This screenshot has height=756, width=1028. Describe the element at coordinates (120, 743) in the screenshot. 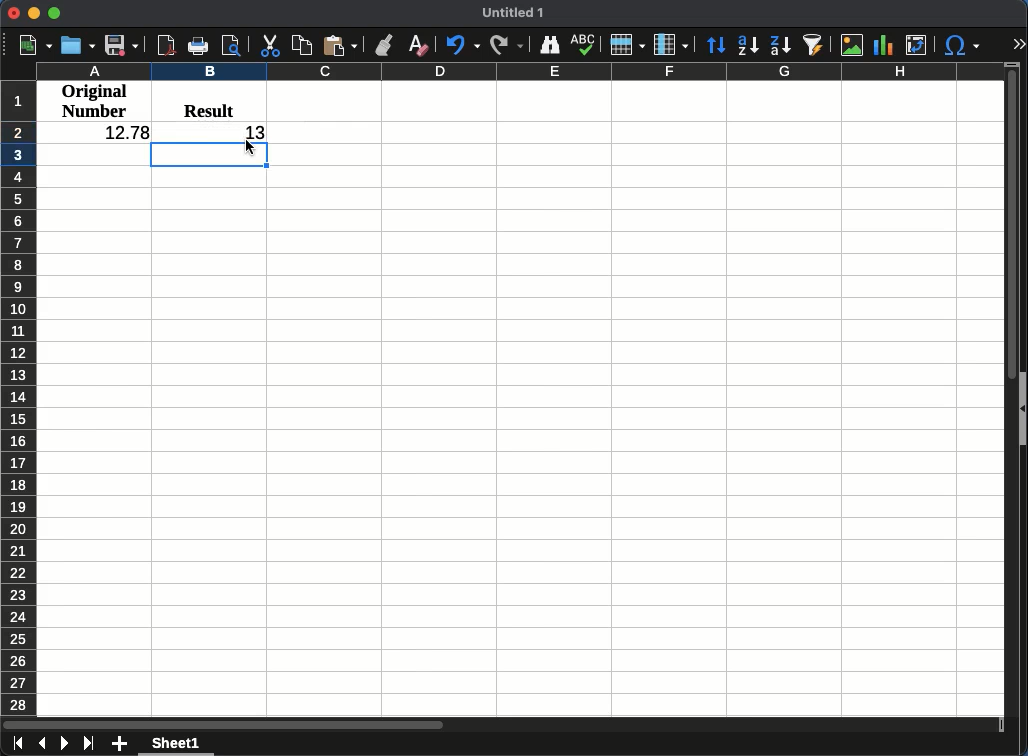

I see `add sheet` at that location.